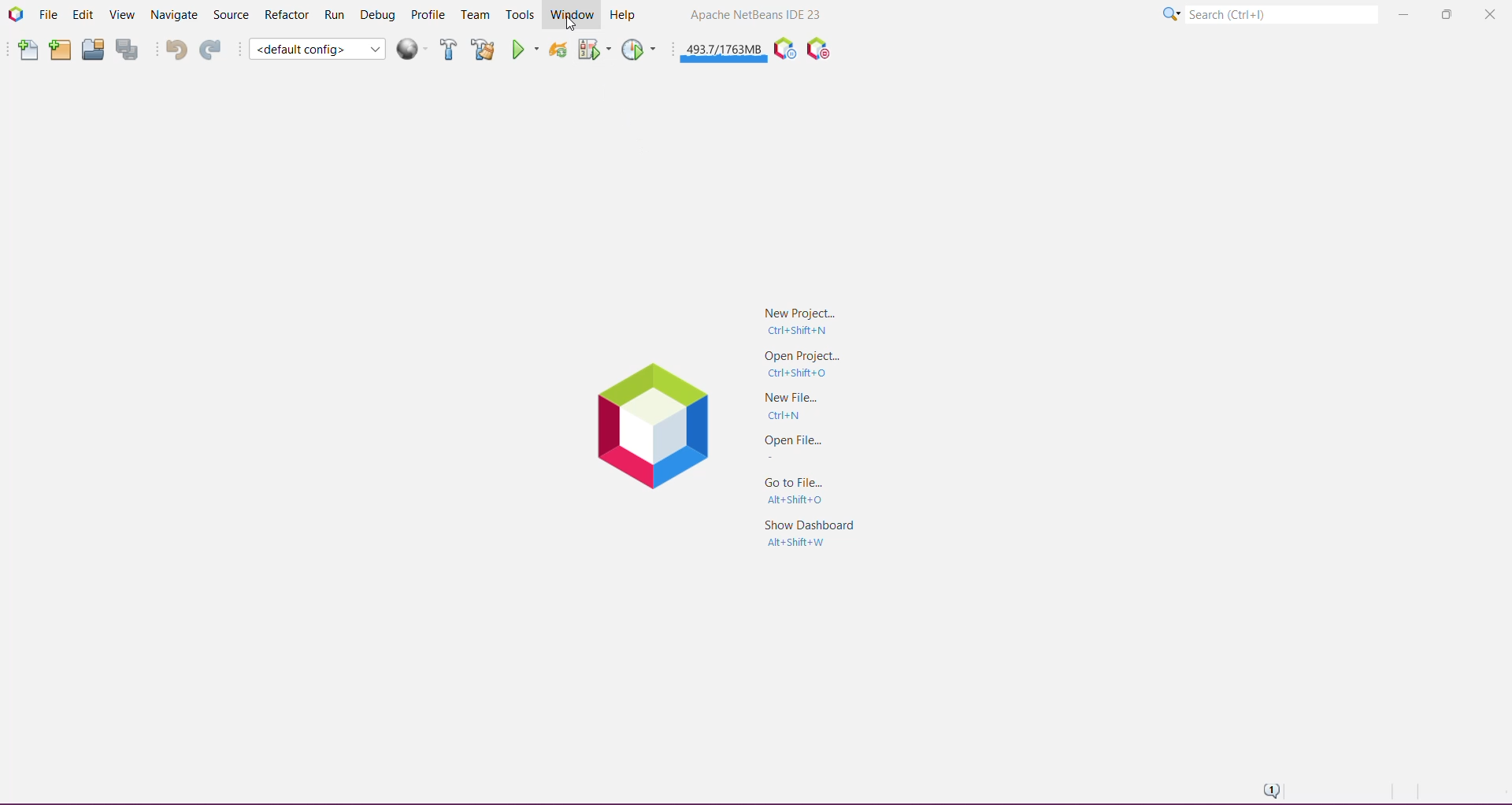 This screenshot has height=805, width=1512. What do you see at coordinates (801, 491) in the screenshot?
I see `Go to File` at bounding box center [801, 491].